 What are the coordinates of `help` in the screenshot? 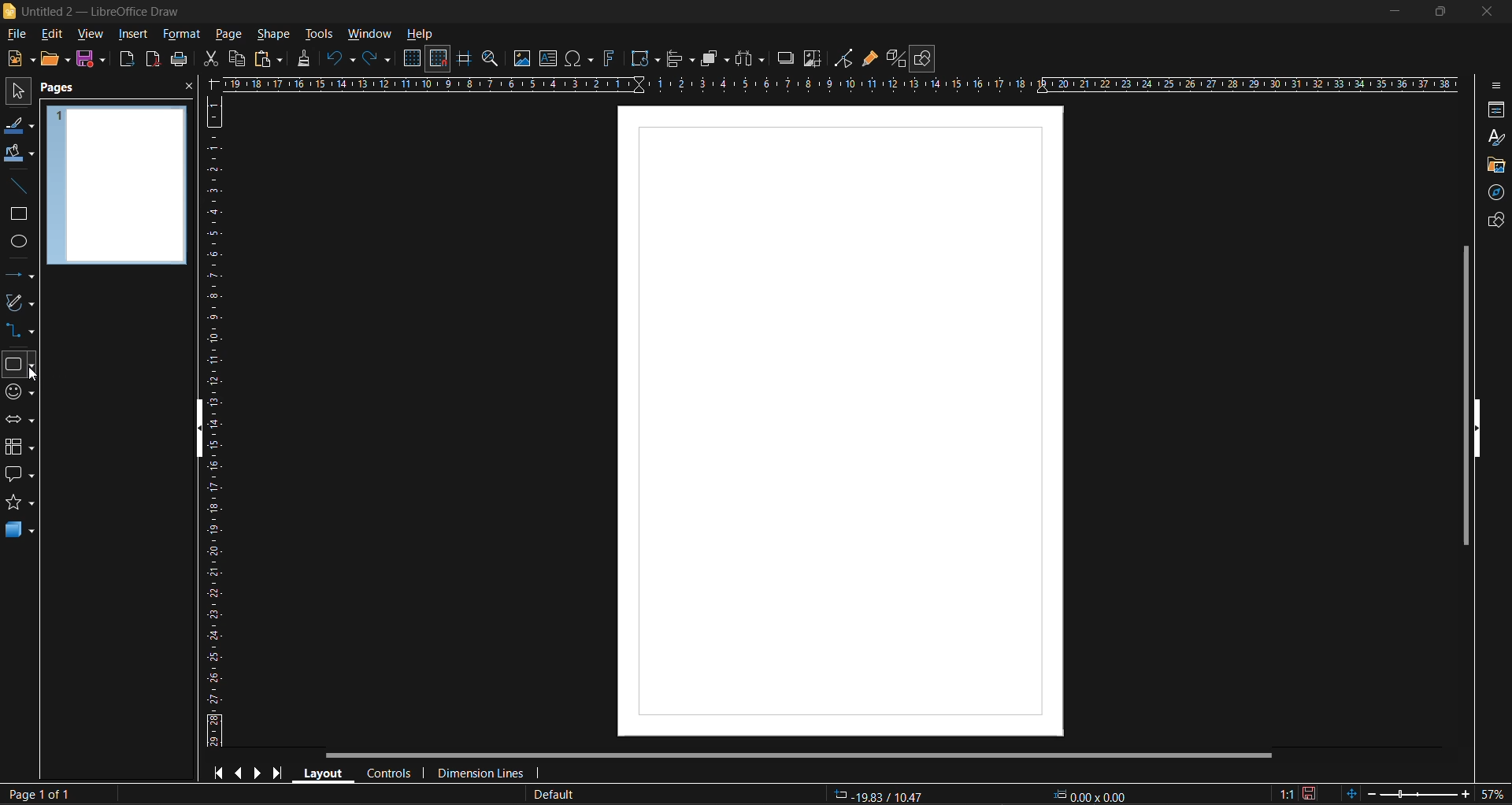 It's located at (421, 35).